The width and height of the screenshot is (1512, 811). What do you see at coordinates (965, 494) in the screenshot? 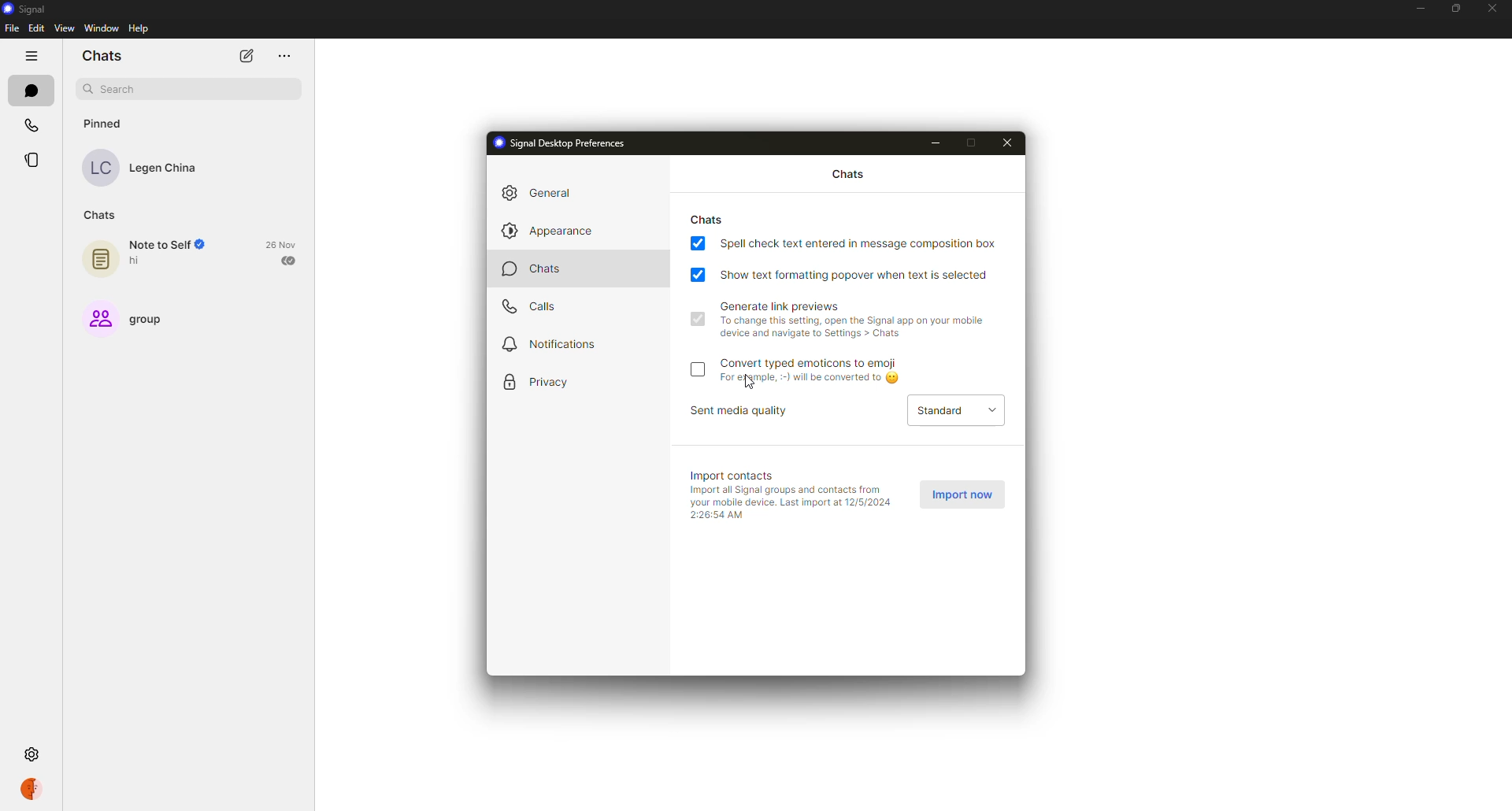
I see `import now` at bounding box center [965, 494].